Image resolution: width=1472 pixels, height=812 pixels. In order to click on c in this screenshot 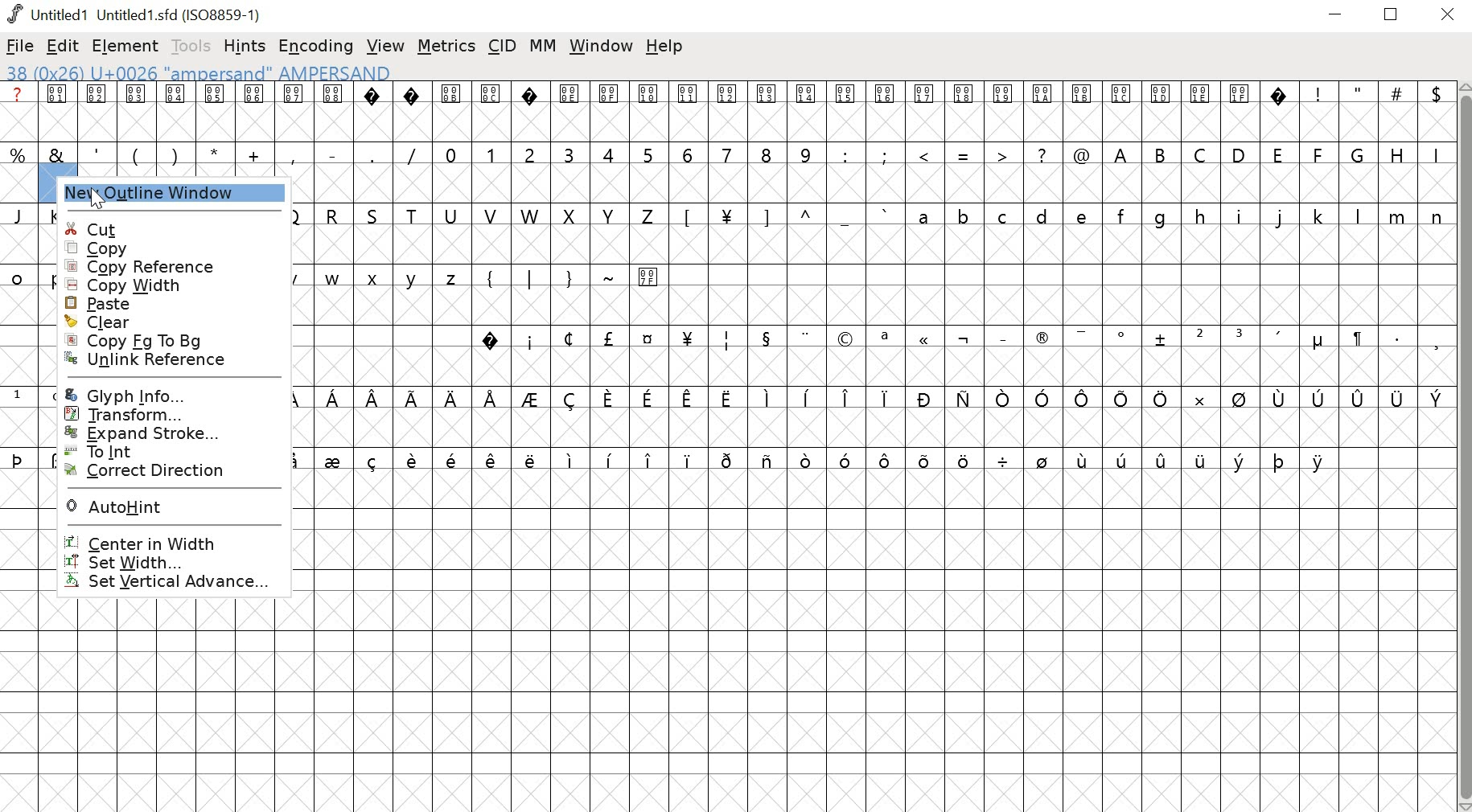, I will do `click(1005, 215)`.